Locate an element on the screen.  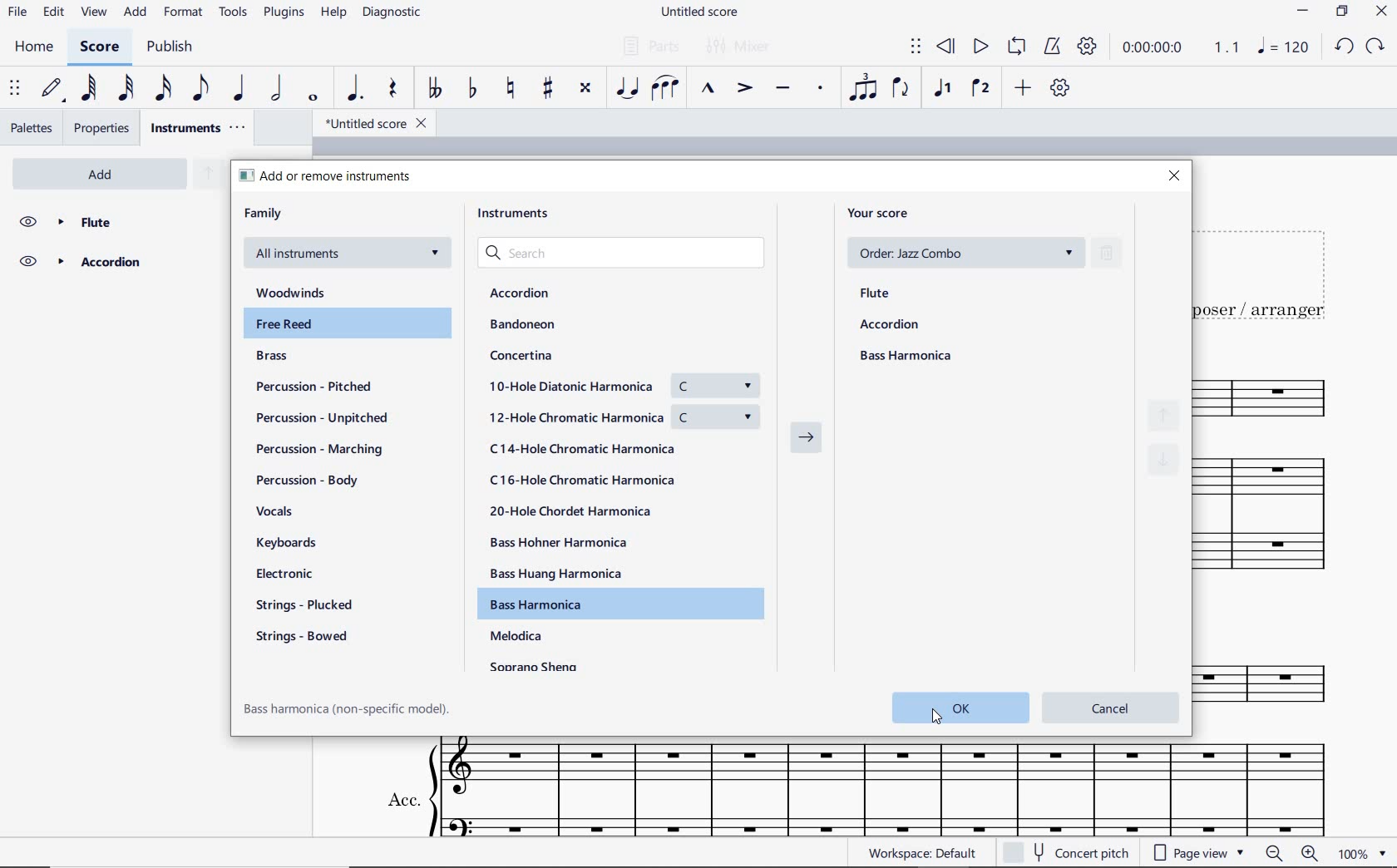
toggle flat is located at coordinates (471, 90).